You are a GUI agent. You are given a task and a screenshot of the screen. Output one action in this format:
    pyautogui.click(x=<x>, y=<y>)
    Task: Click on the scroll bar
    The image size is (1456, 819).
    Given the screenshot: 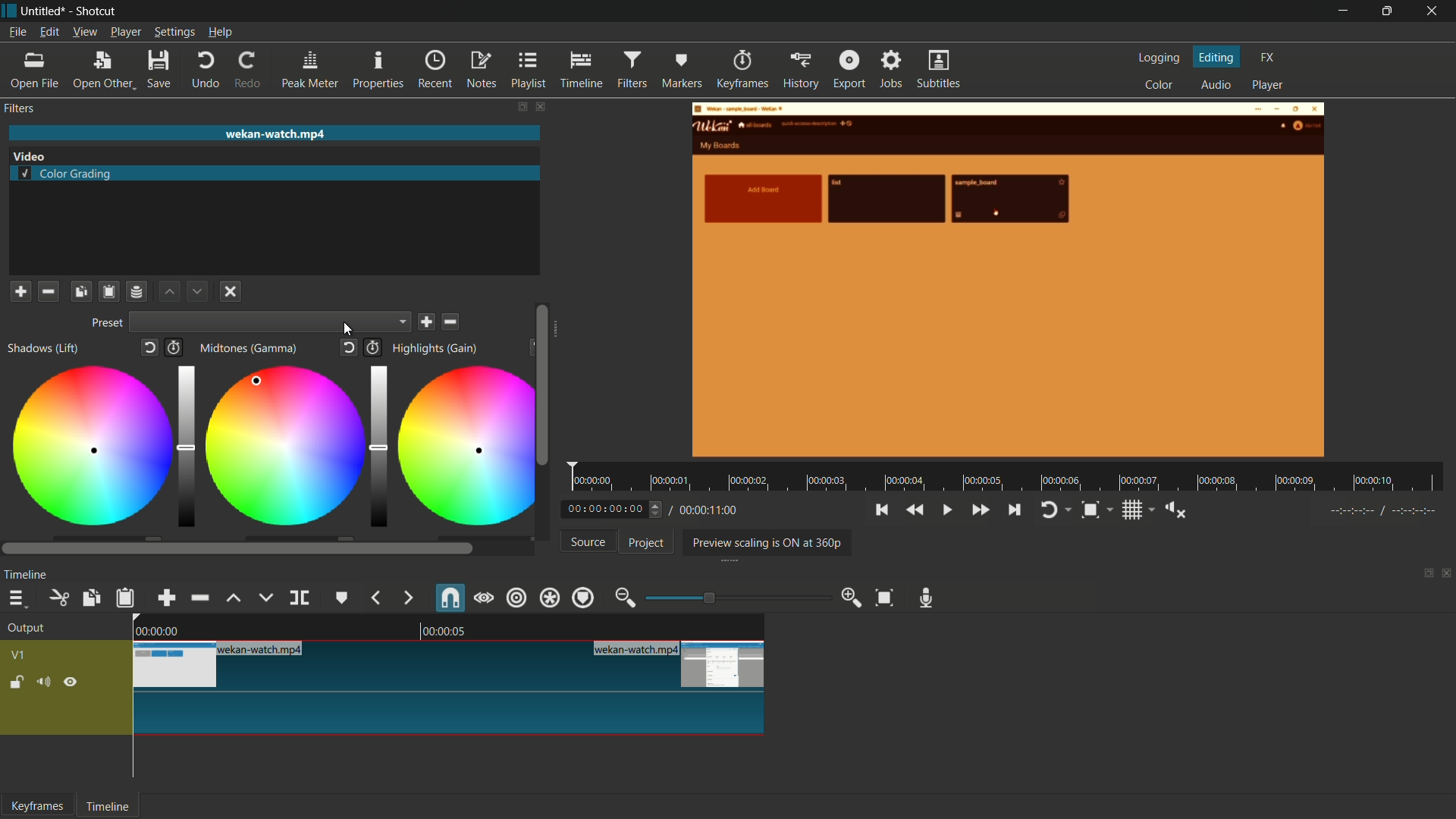 What is the action you would take?
    pyautogui.click(x=541, y=384)
    